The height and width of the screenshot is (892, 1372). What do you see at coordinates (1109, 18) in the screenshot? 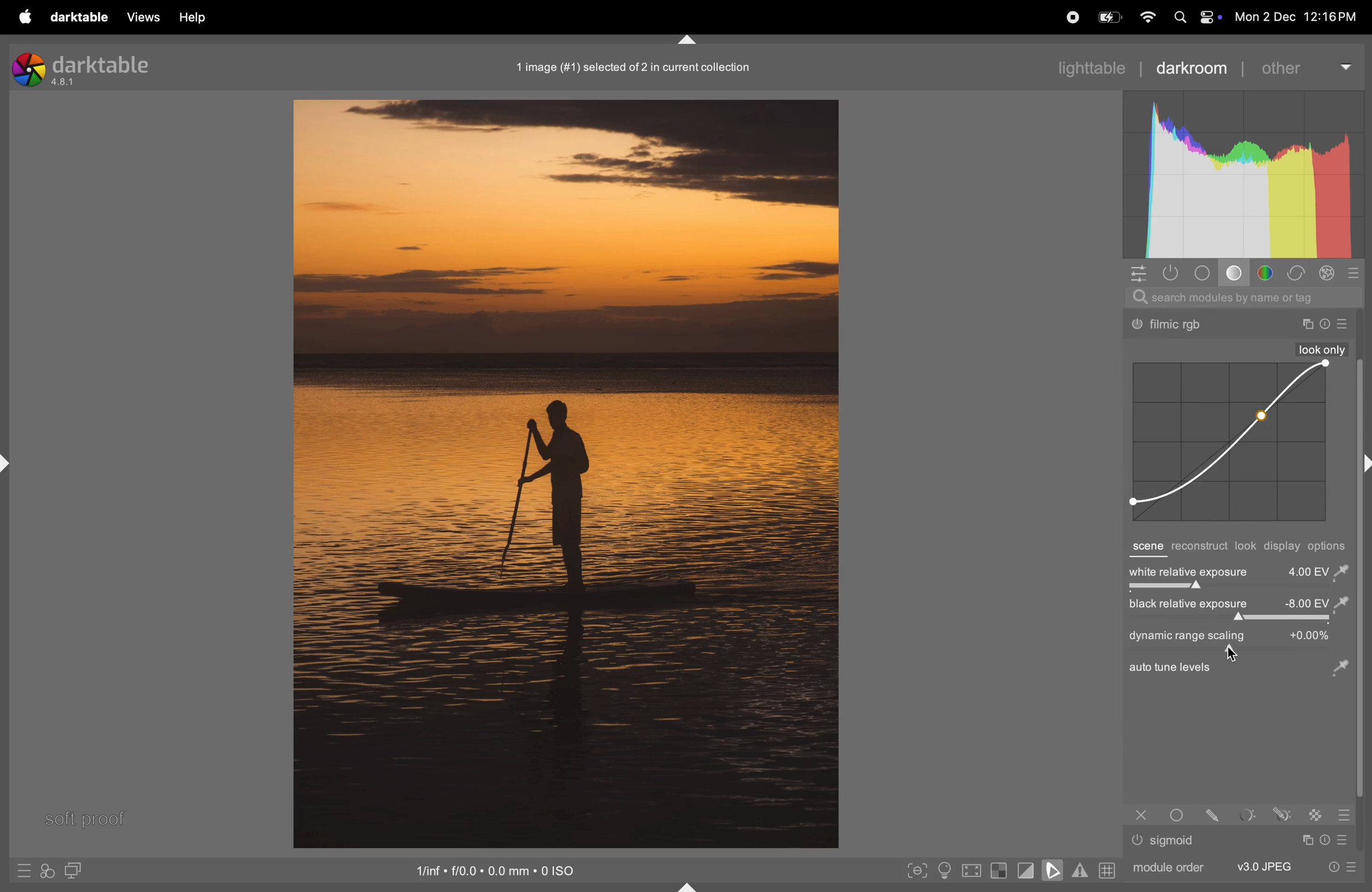
I see `batttery` at bounding box center [1109, 18].